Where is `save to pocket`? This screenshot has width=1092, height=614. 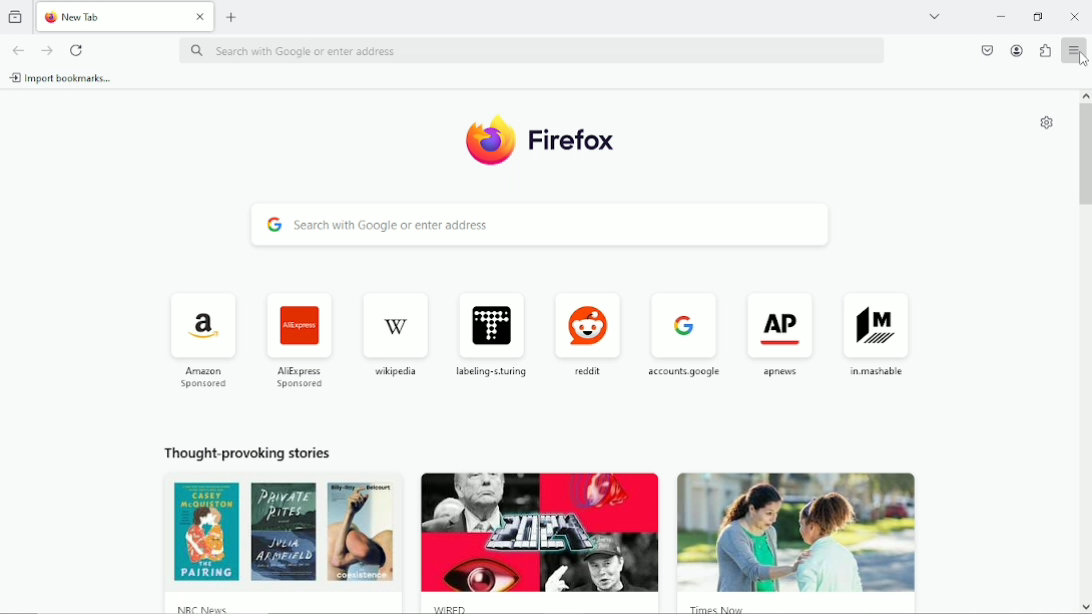
save to pocket is located at coordinates (986, 50).